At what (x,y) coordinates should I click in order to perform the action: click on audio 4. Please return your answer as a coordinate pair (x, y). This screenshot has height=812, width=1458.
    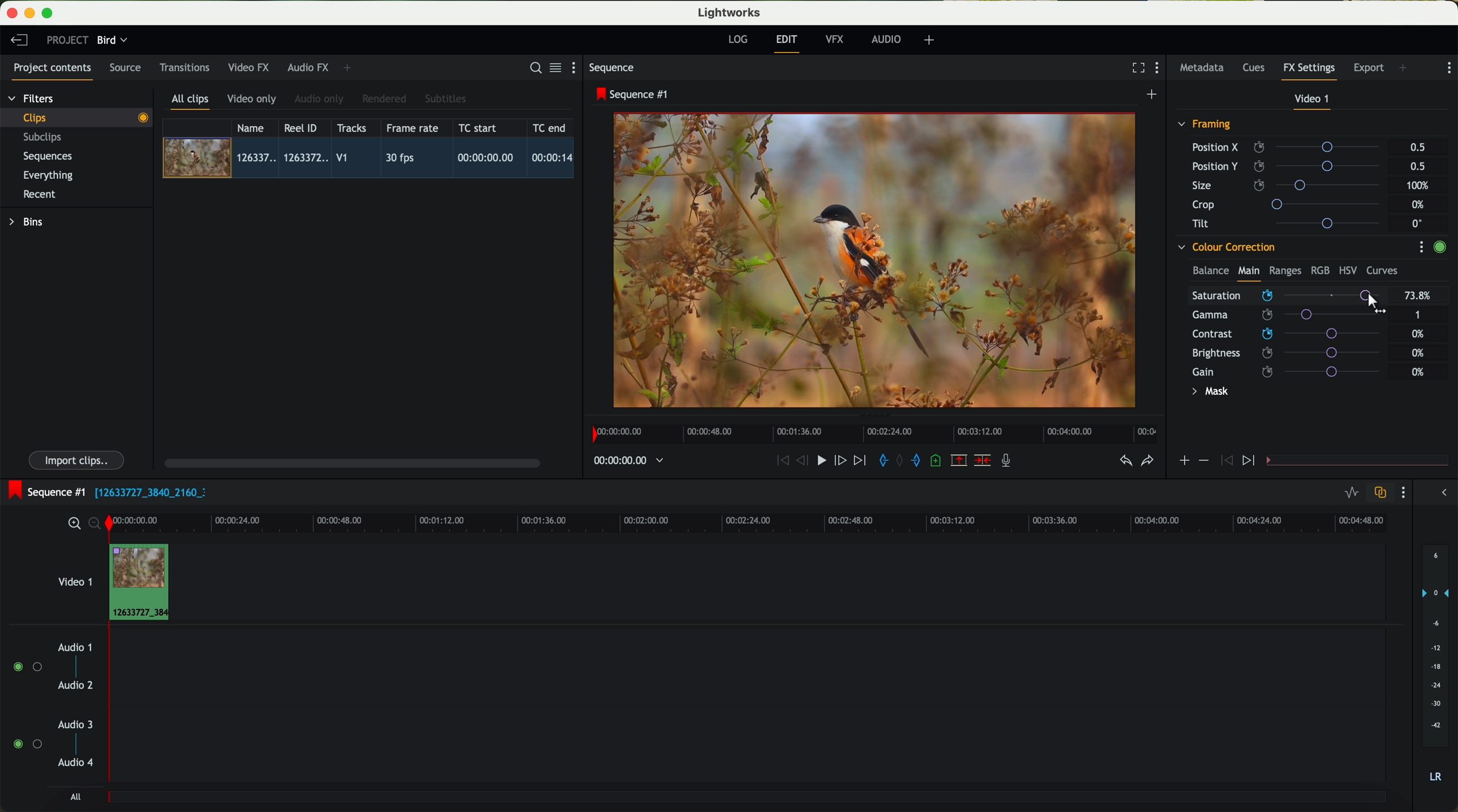
    Looking at the image, I should click on (76, 763).